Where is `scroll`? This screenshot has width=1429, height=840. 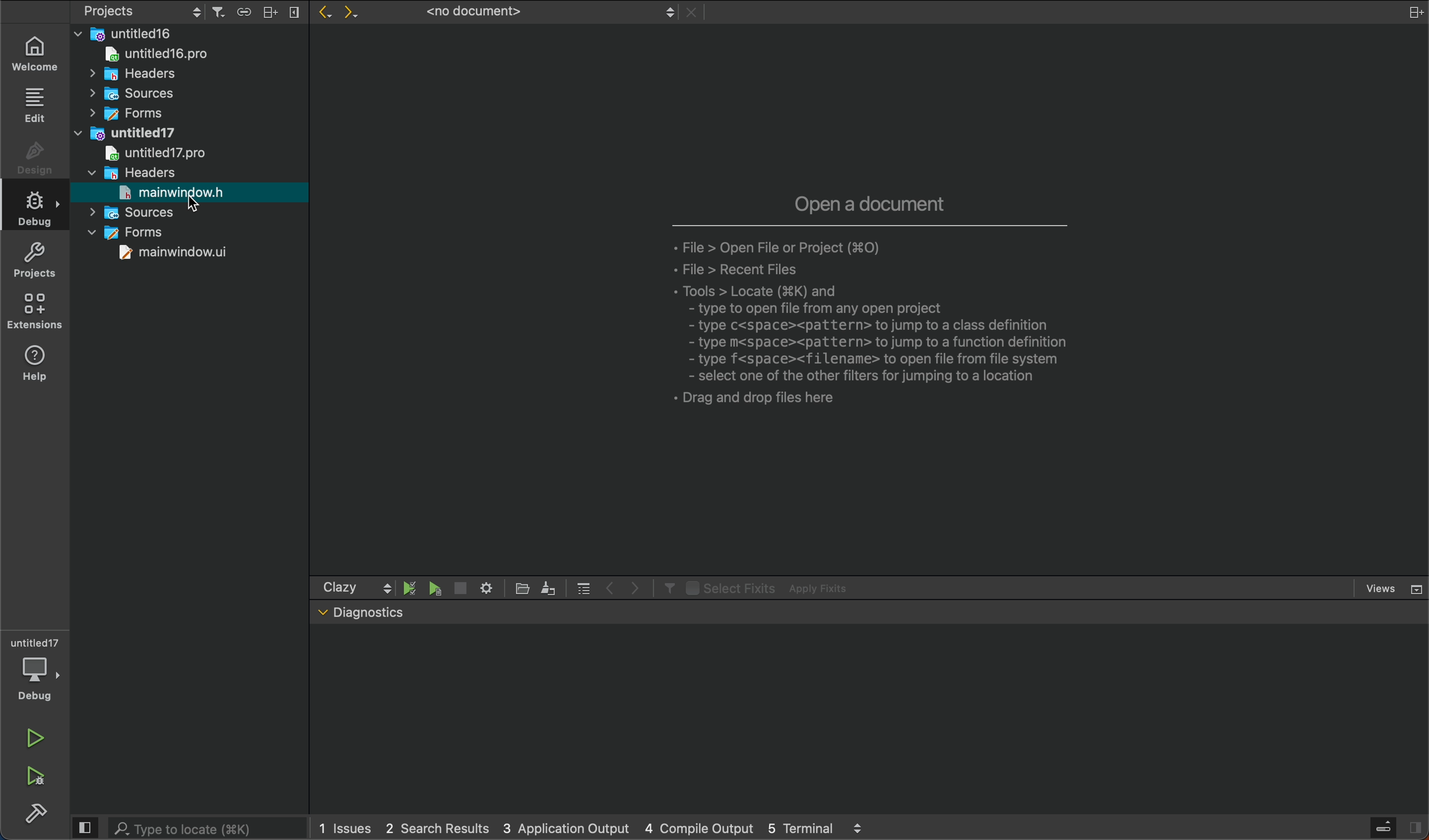 scroll is located at coordinates (387, 587).